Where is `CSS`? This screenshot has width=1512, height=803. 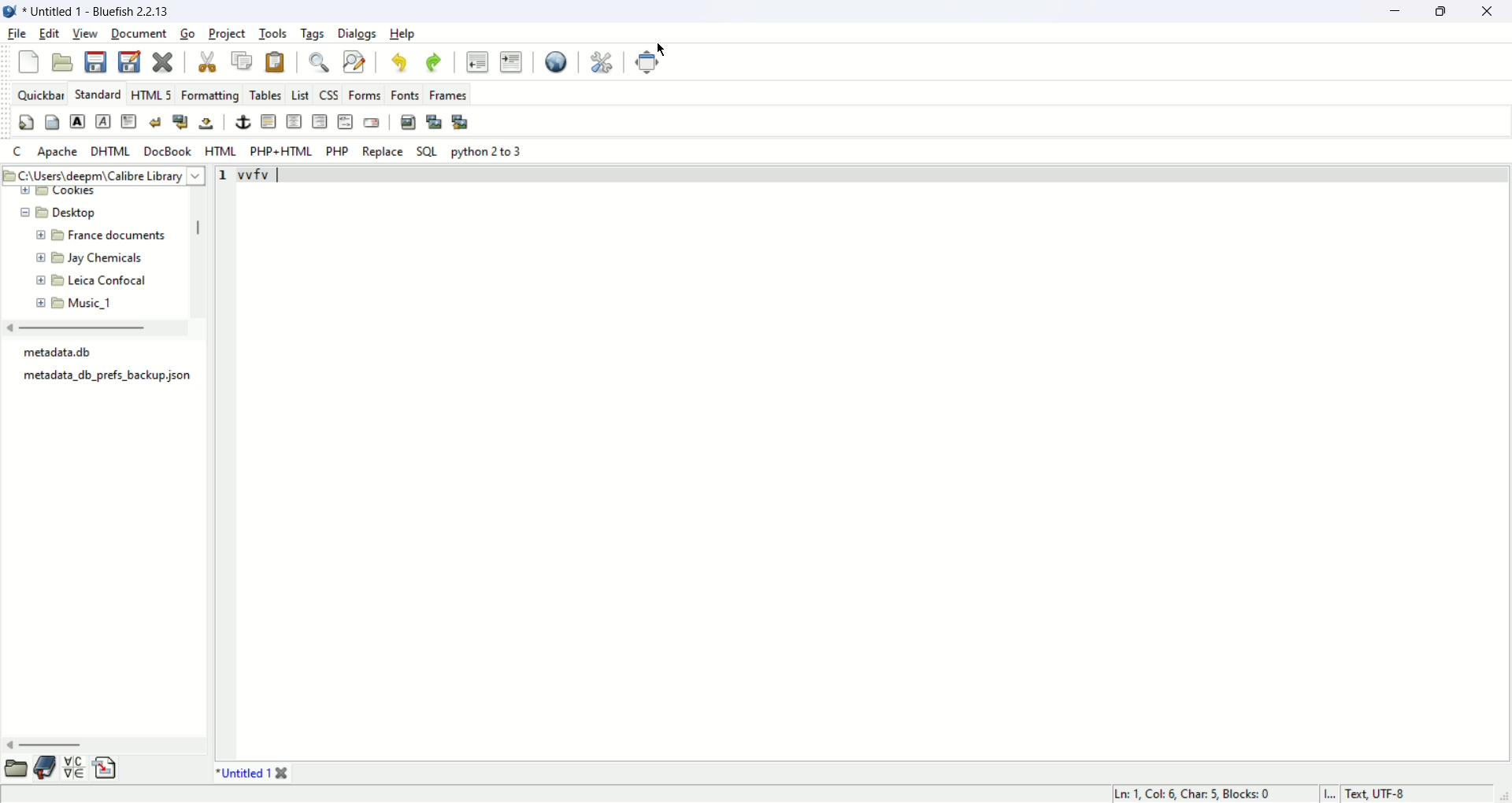 CSS is located at coordinates (329, 93).